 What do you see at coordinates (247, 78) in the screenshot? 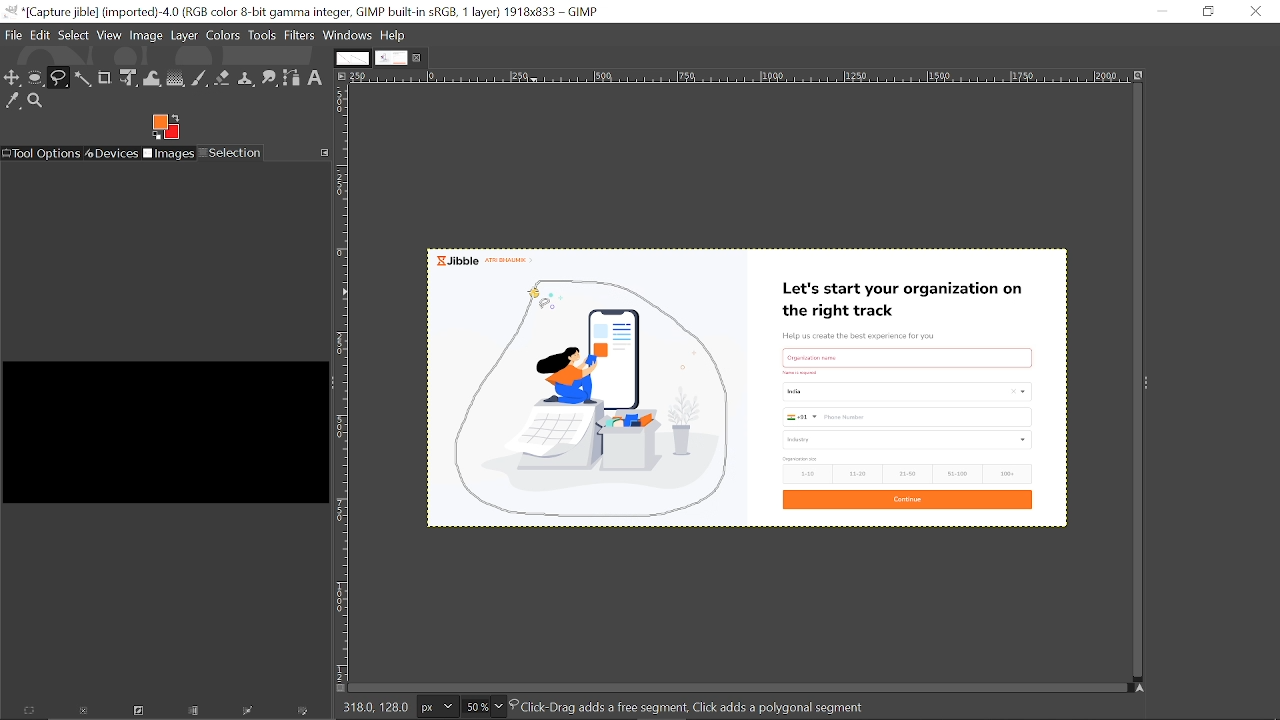
I see `Clone tool` at bounding box center [247, 78].